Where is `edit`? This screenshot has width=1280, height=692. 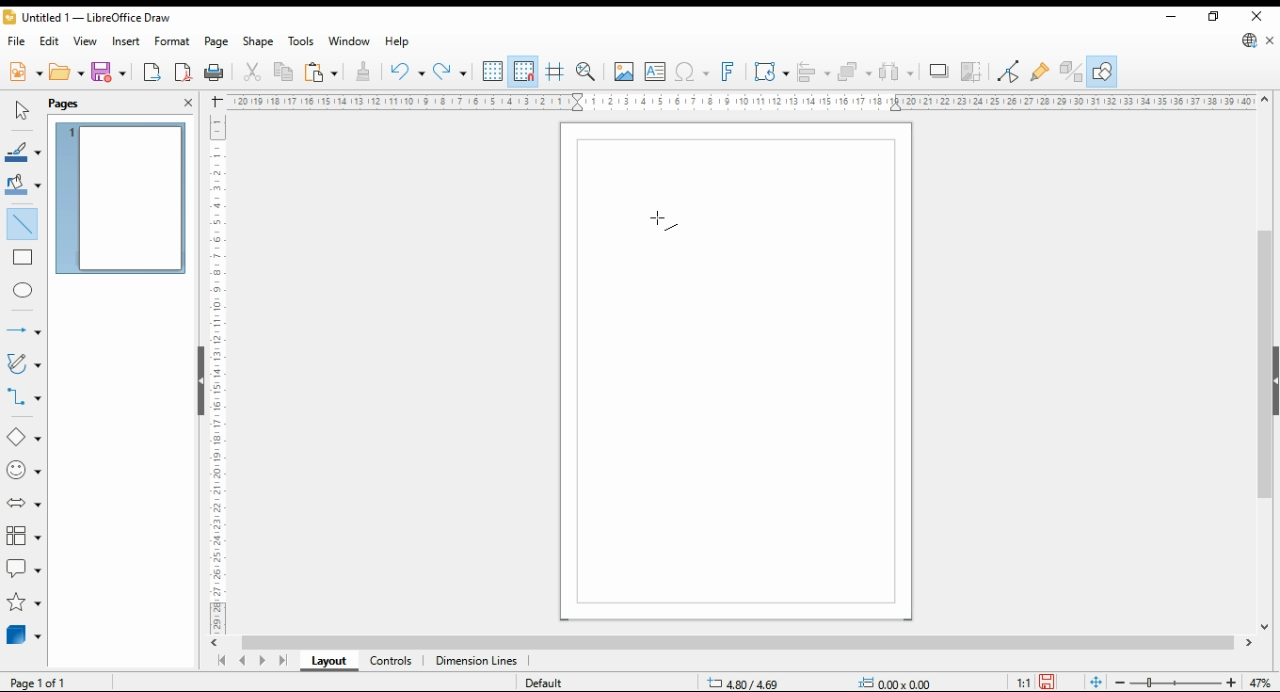 edit is located at coordinates (52, 43).